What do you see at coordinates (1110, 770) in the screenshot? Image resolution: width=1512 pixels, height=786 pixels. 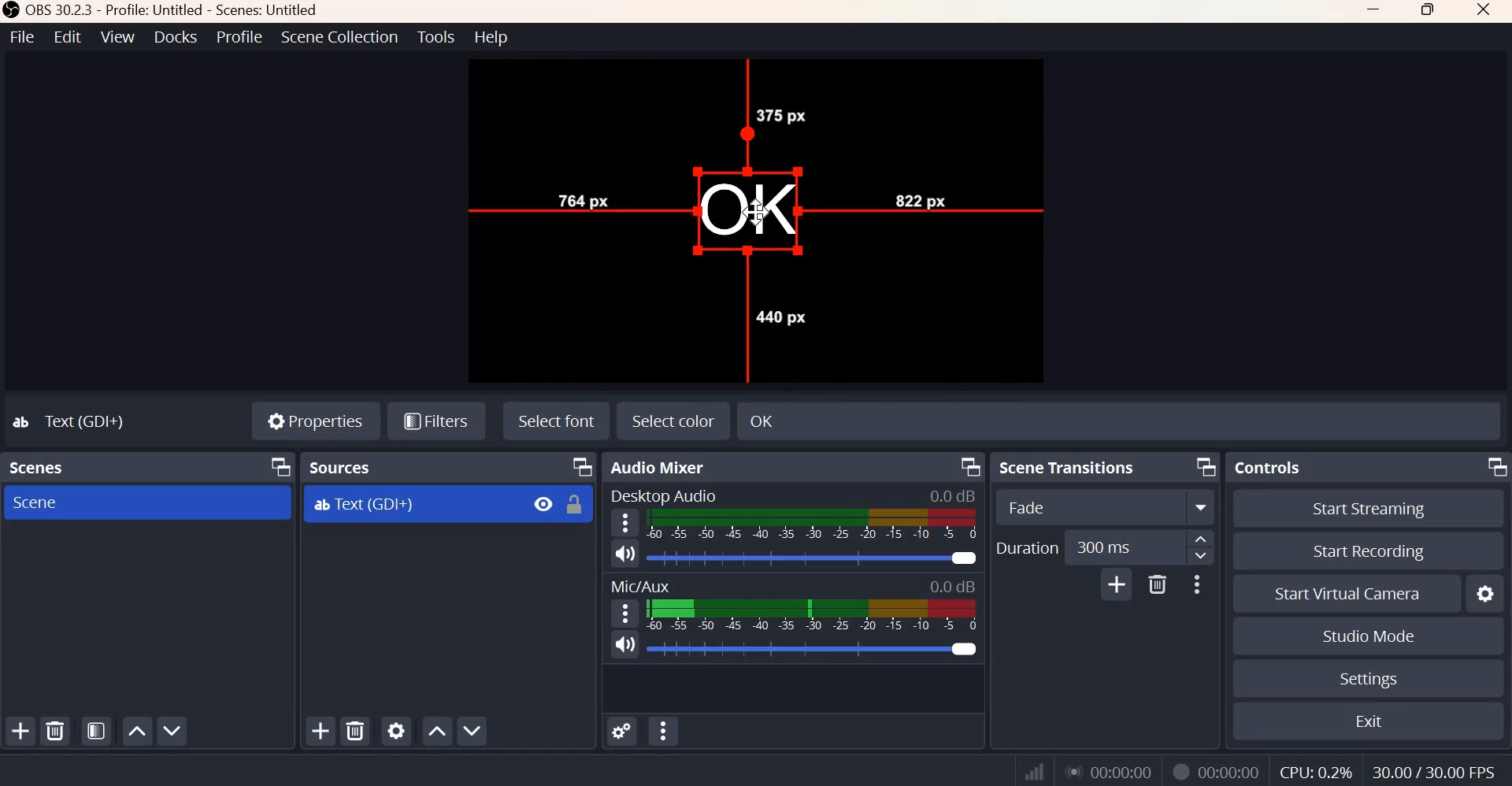 I see `Live Duration Timer` at bounding box center [1110, 770].